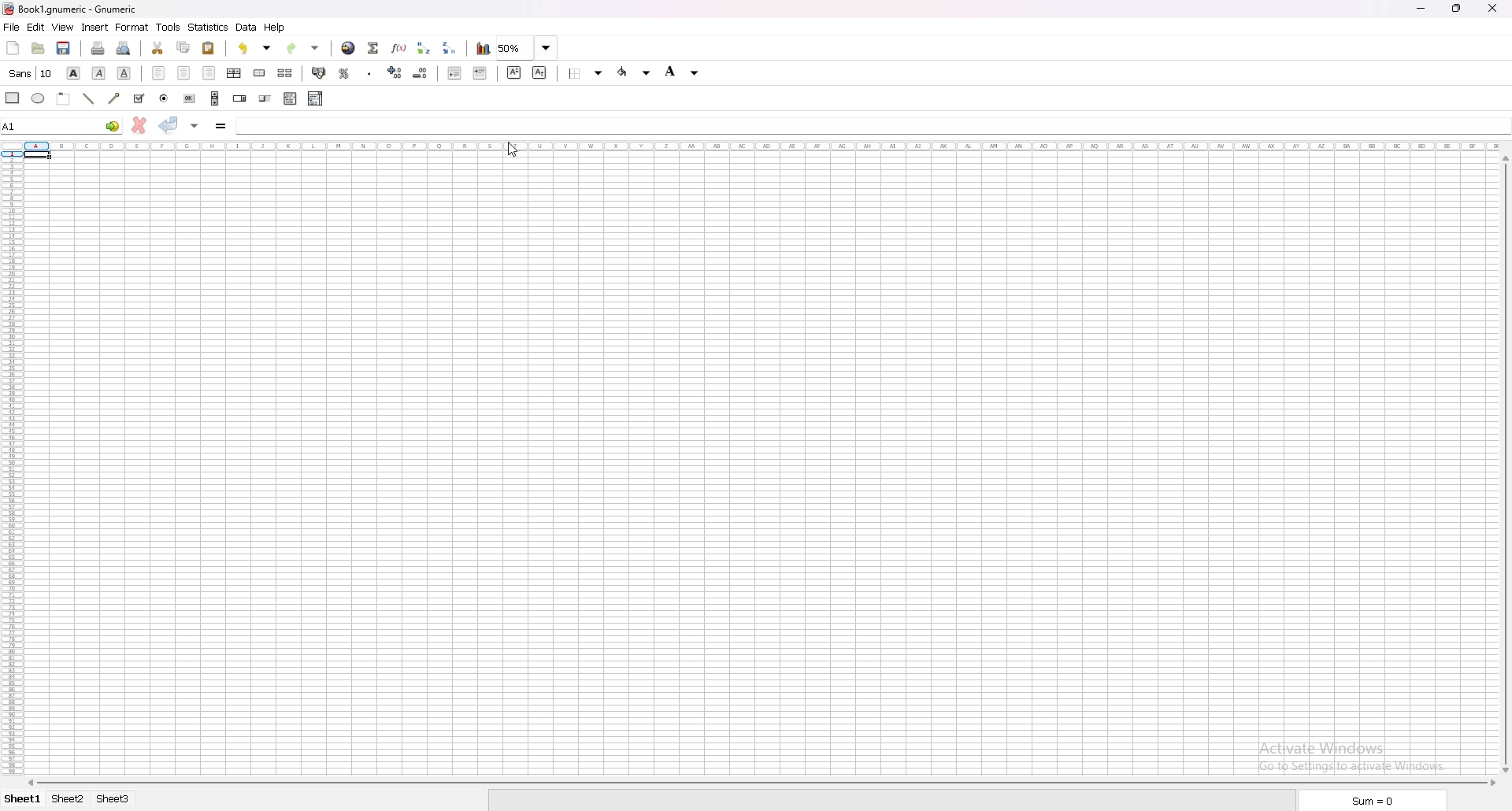  What do you see at coordinates (516, 72) in the screenshot?
I see `superscript` at bounding box center [516, 72].